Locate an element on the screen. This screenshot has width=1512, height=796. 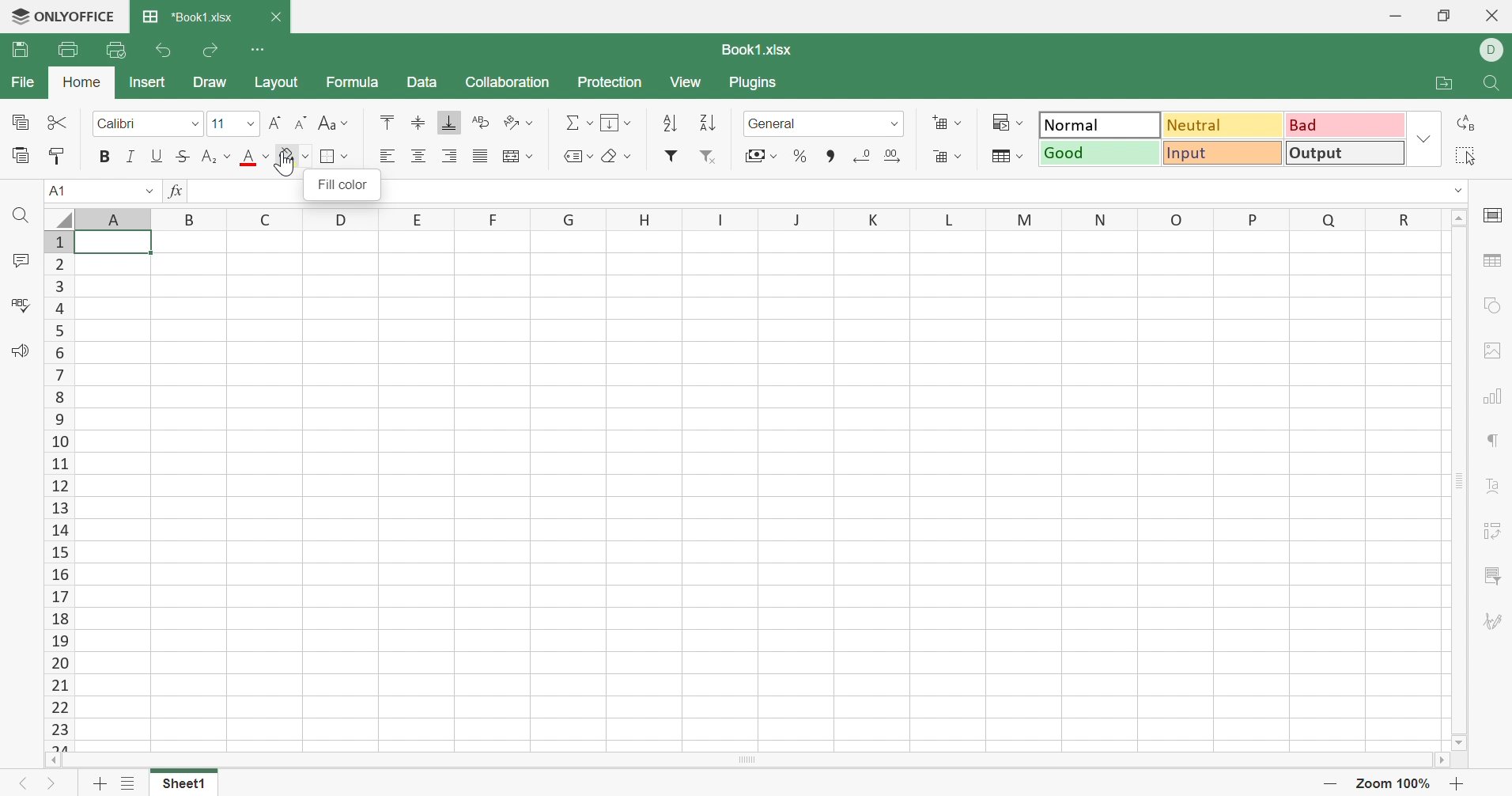
Decrement font size is located at coordinates (299, 120).